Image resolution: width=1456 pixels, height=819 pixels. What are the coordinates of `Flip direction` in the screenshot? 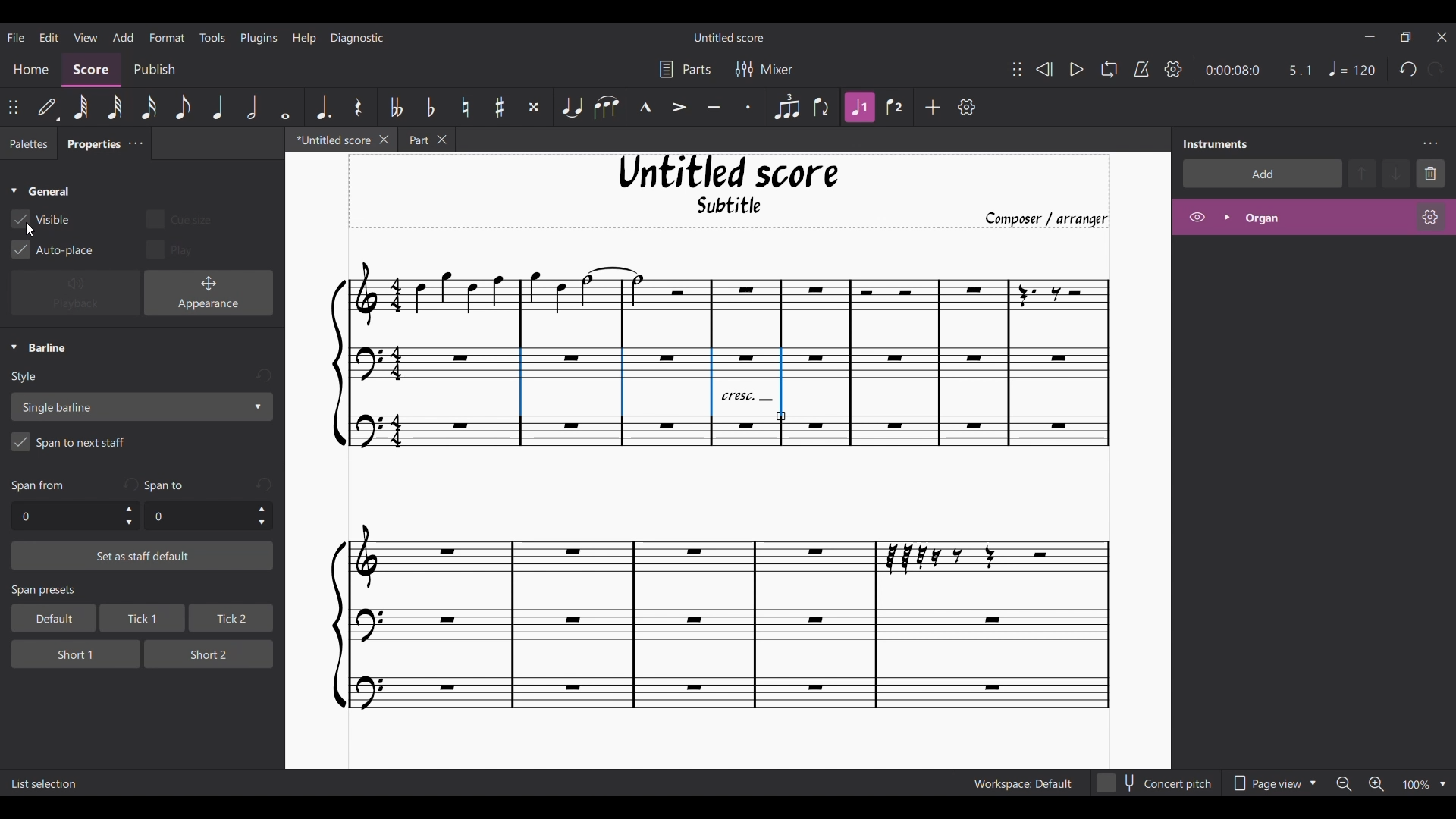 It's located at (823, 107).